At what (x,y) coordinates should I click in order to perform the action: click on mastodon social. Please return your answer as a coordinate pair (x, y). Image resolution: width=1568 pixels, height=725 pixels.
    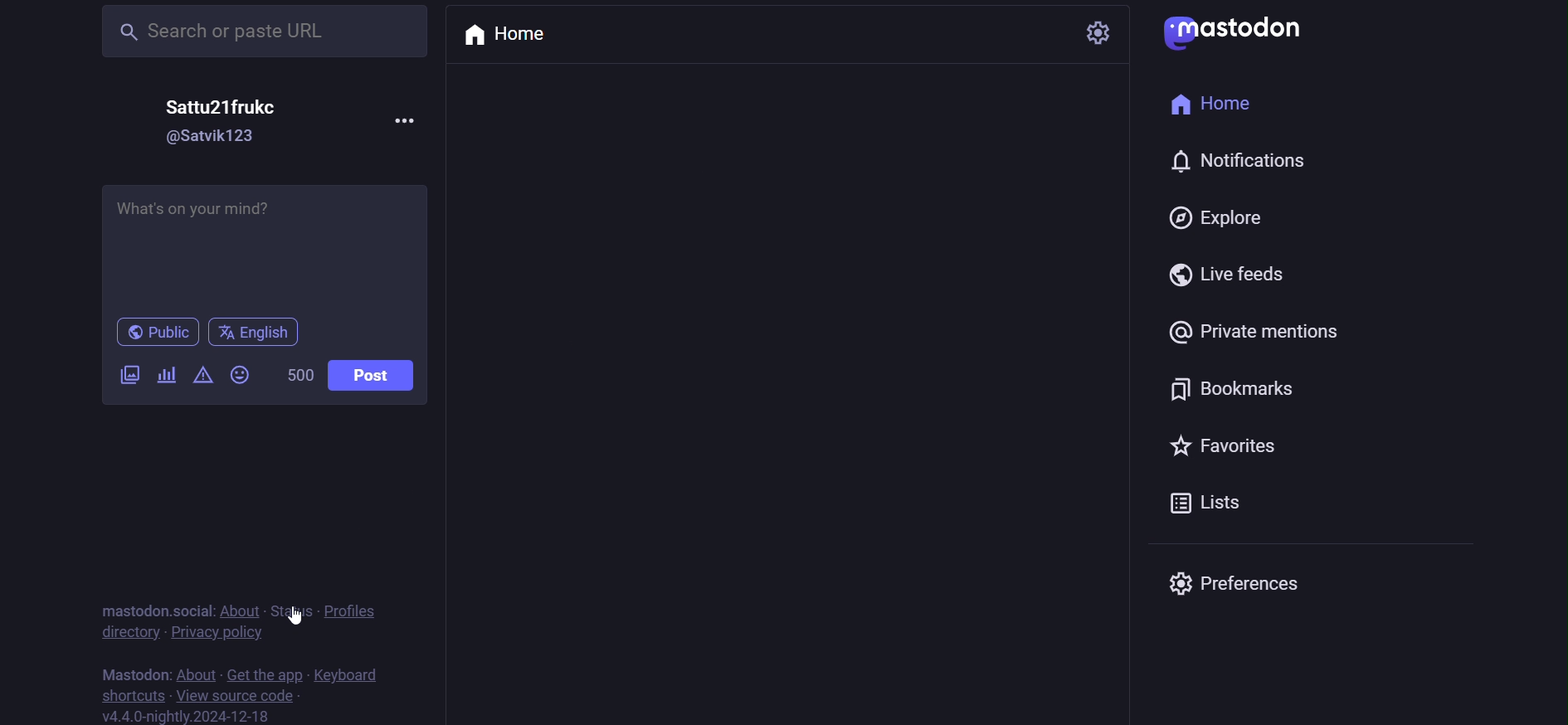
    Looking at the image, I should click on (155, 609).